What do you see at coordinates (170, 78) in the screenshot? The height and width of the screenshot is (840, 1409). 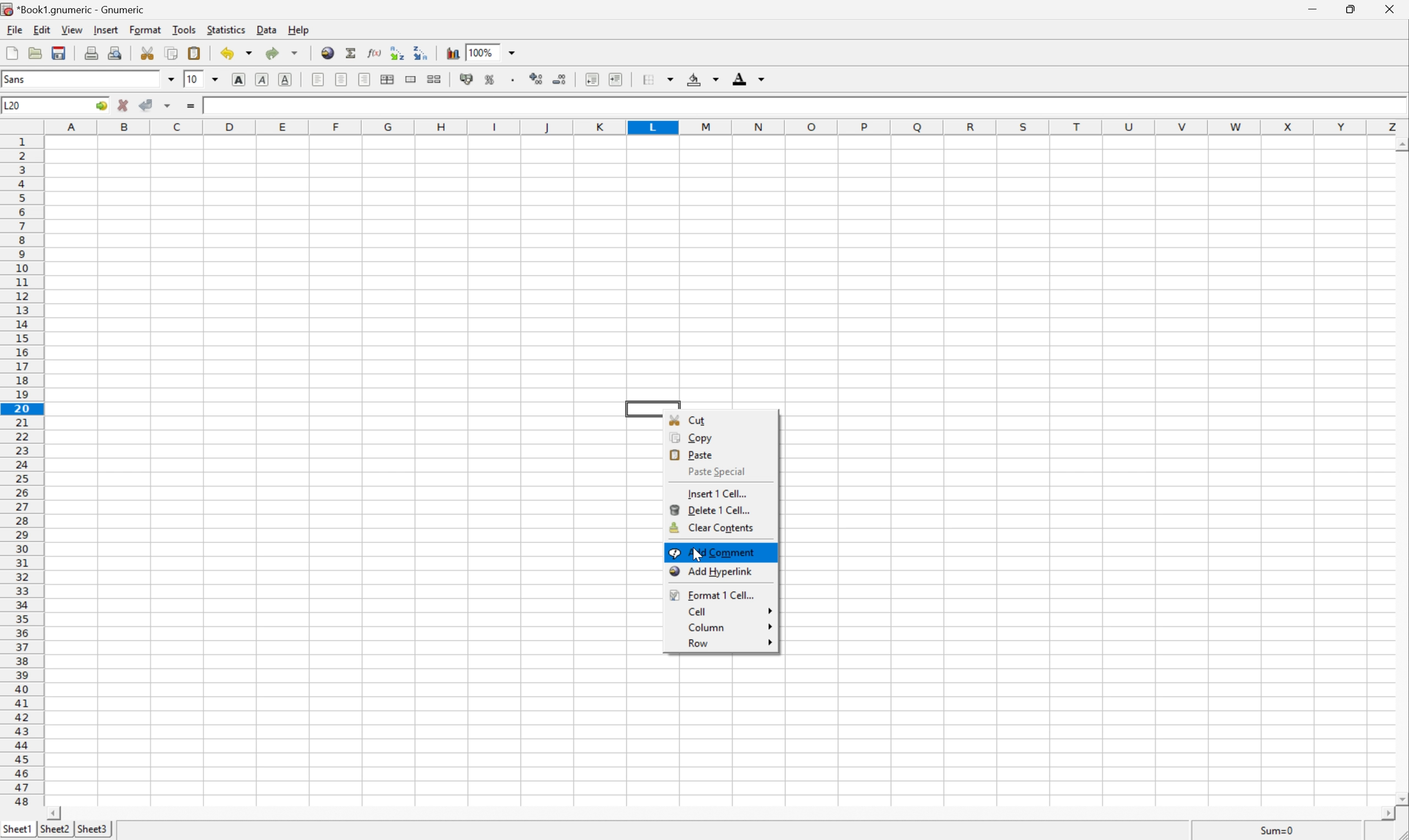 I see `Drop Down` at bounding box center [170, 78].